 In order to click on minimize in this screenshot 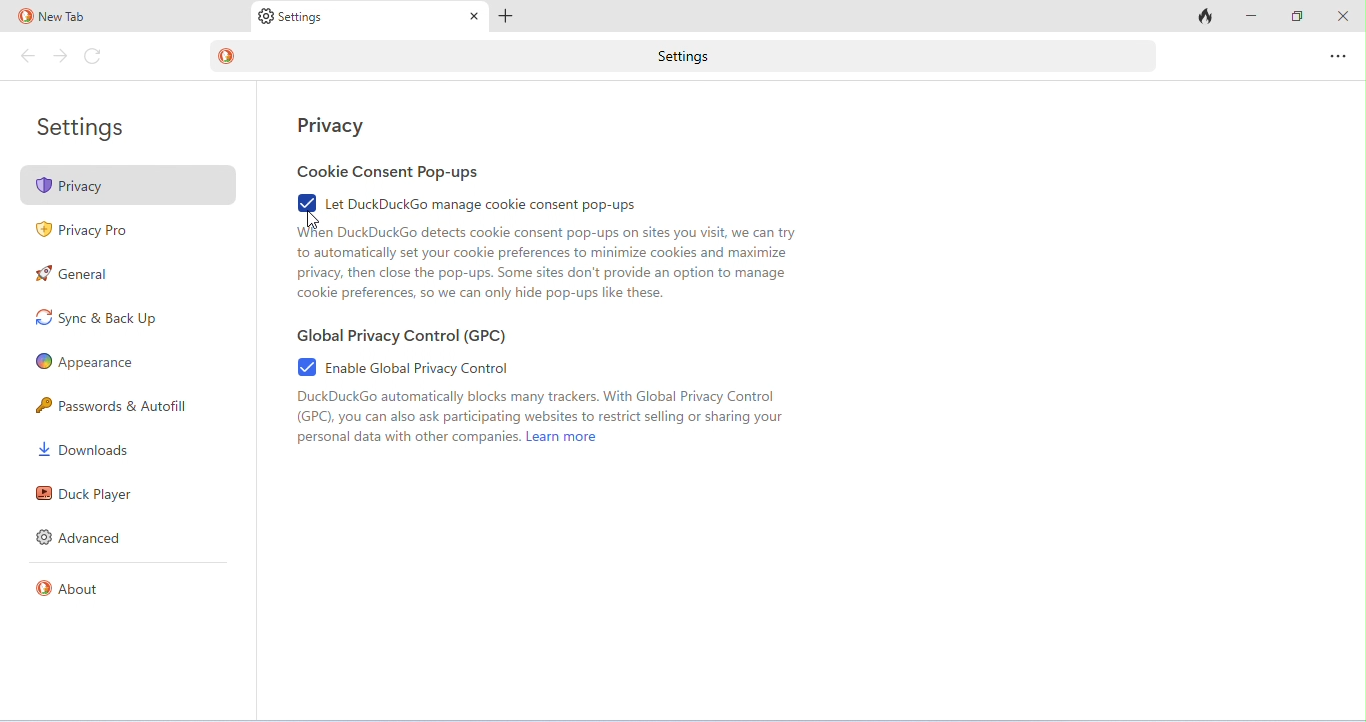, I will do `click(1250, 15)`.